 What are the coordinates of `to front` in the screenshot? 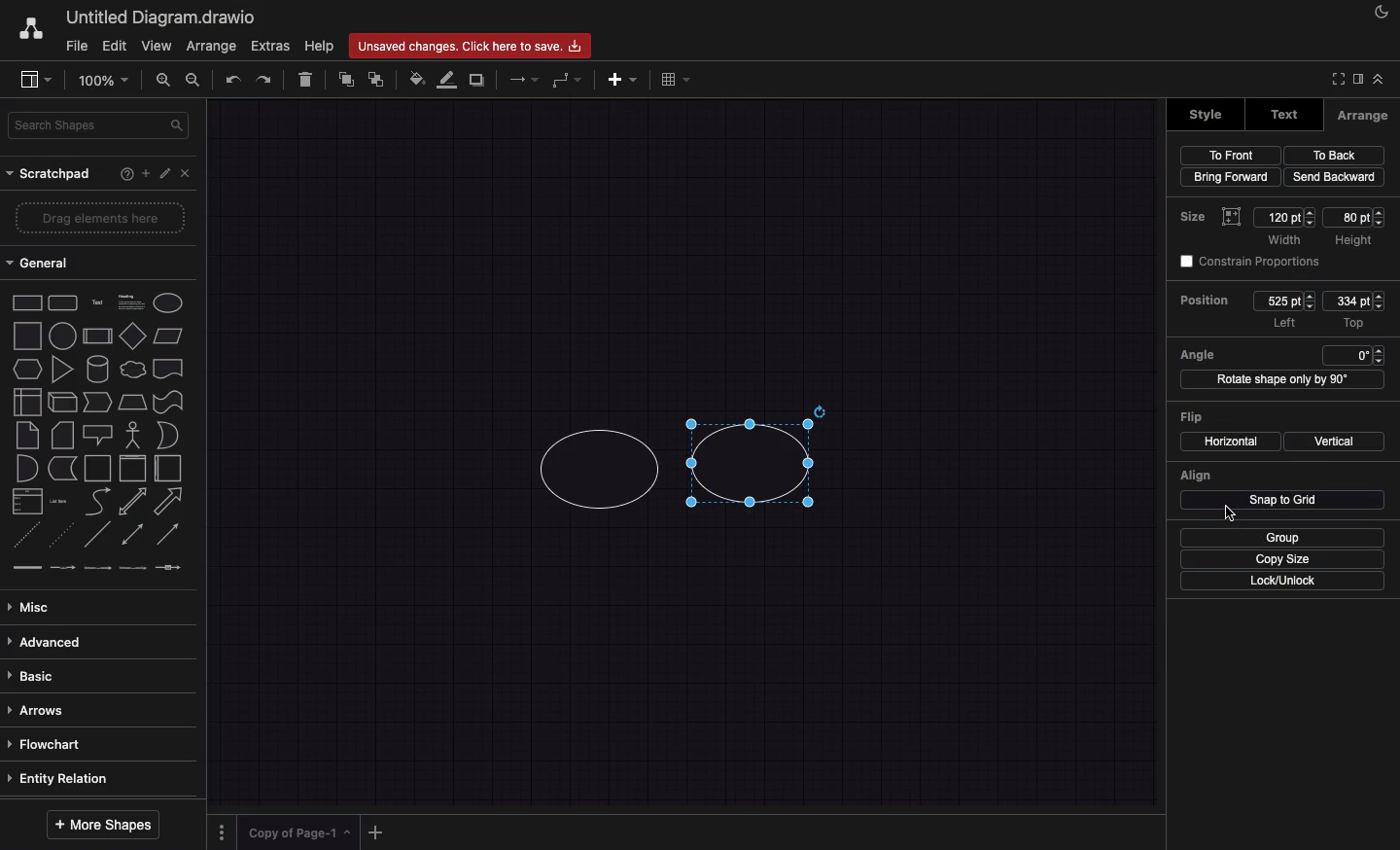 It's located at (344, 79).